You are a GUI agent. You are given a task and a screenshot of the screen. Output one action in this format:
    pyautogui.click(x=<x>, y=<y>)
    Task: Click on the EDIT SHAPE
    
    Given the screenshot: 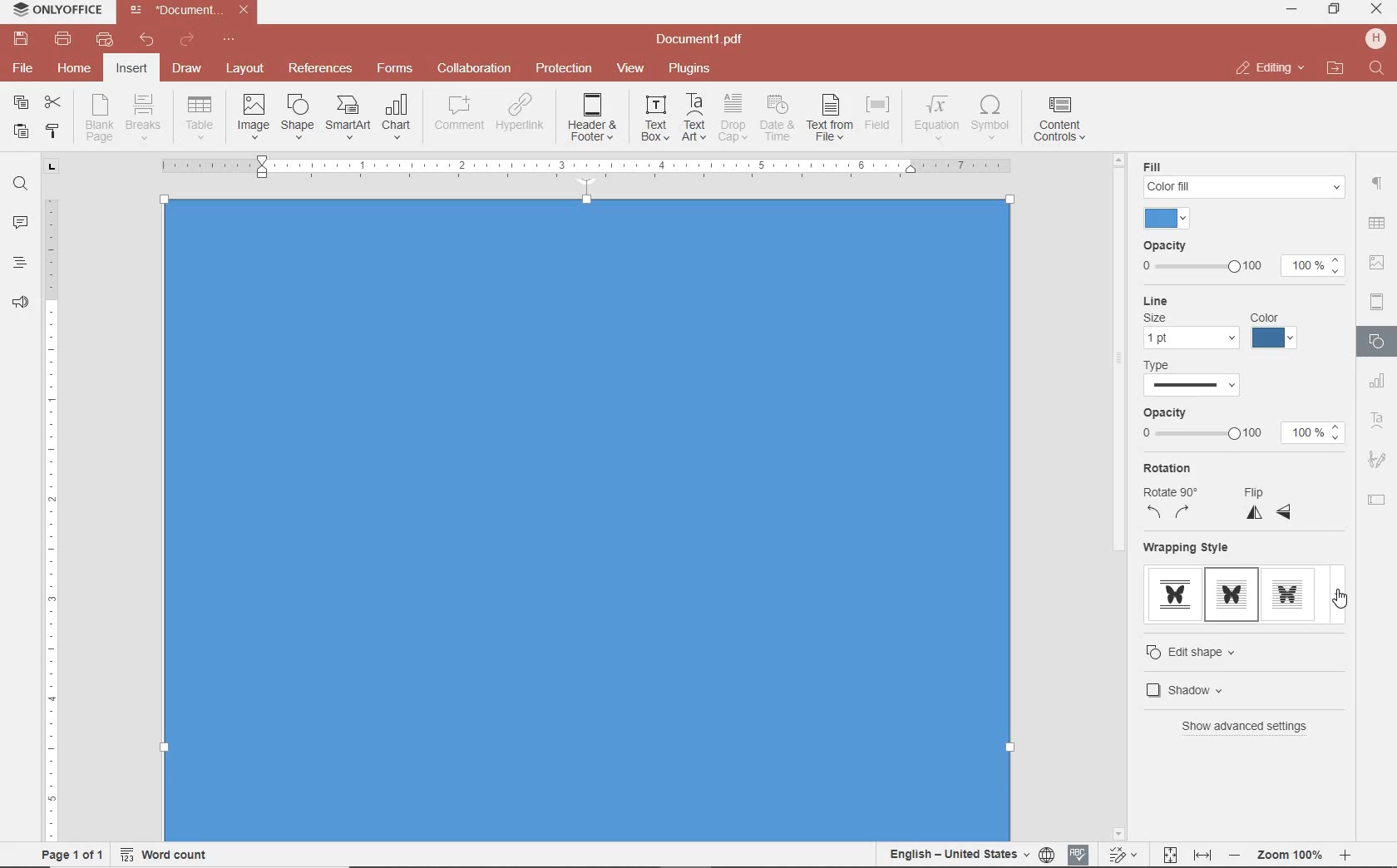 What is the action you would take?
    pyautogui.click(x=1198, y=654)
    